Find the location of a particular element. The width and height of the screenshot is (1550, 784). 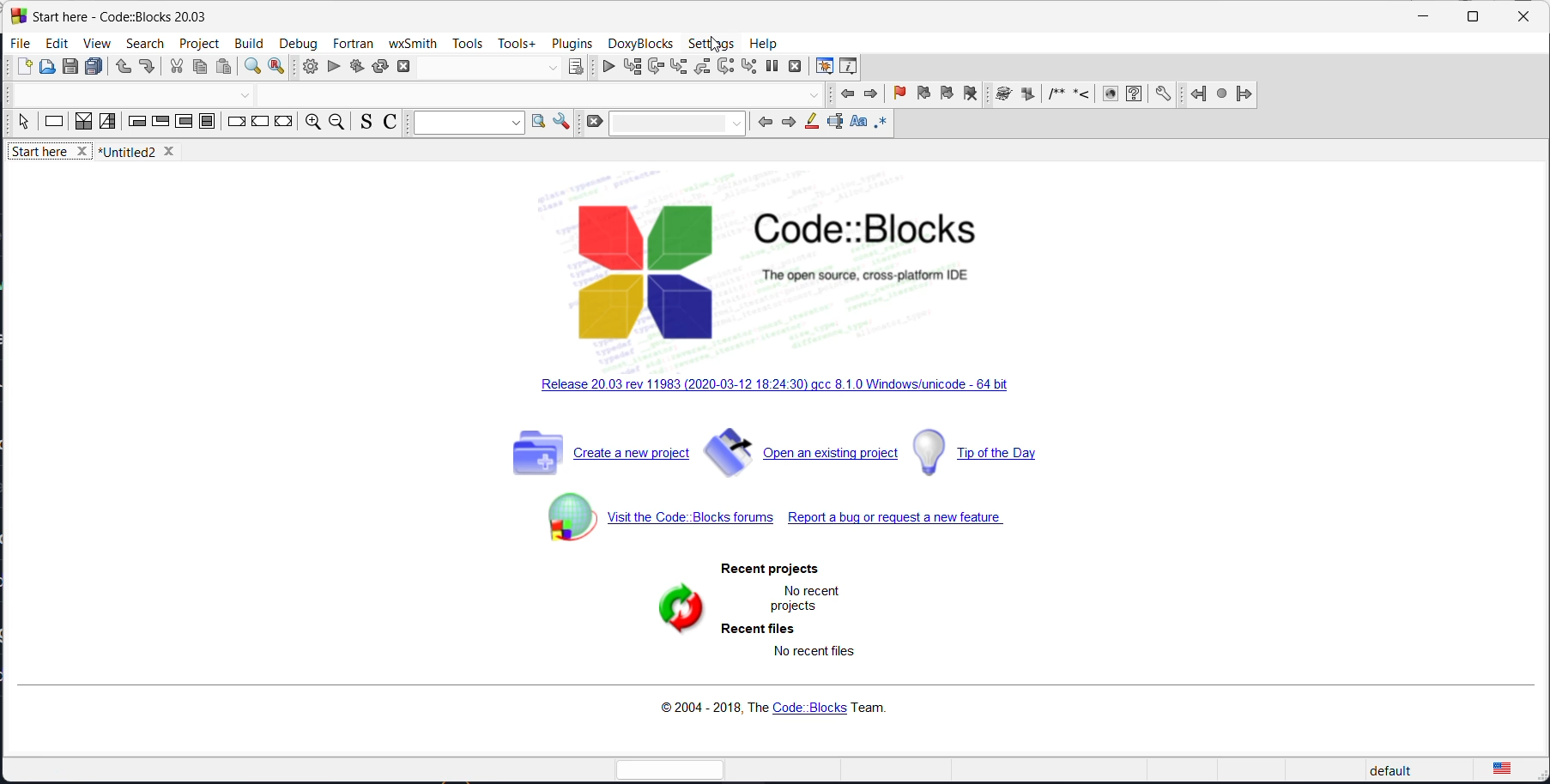

setting is located at coordinates (561, 122).